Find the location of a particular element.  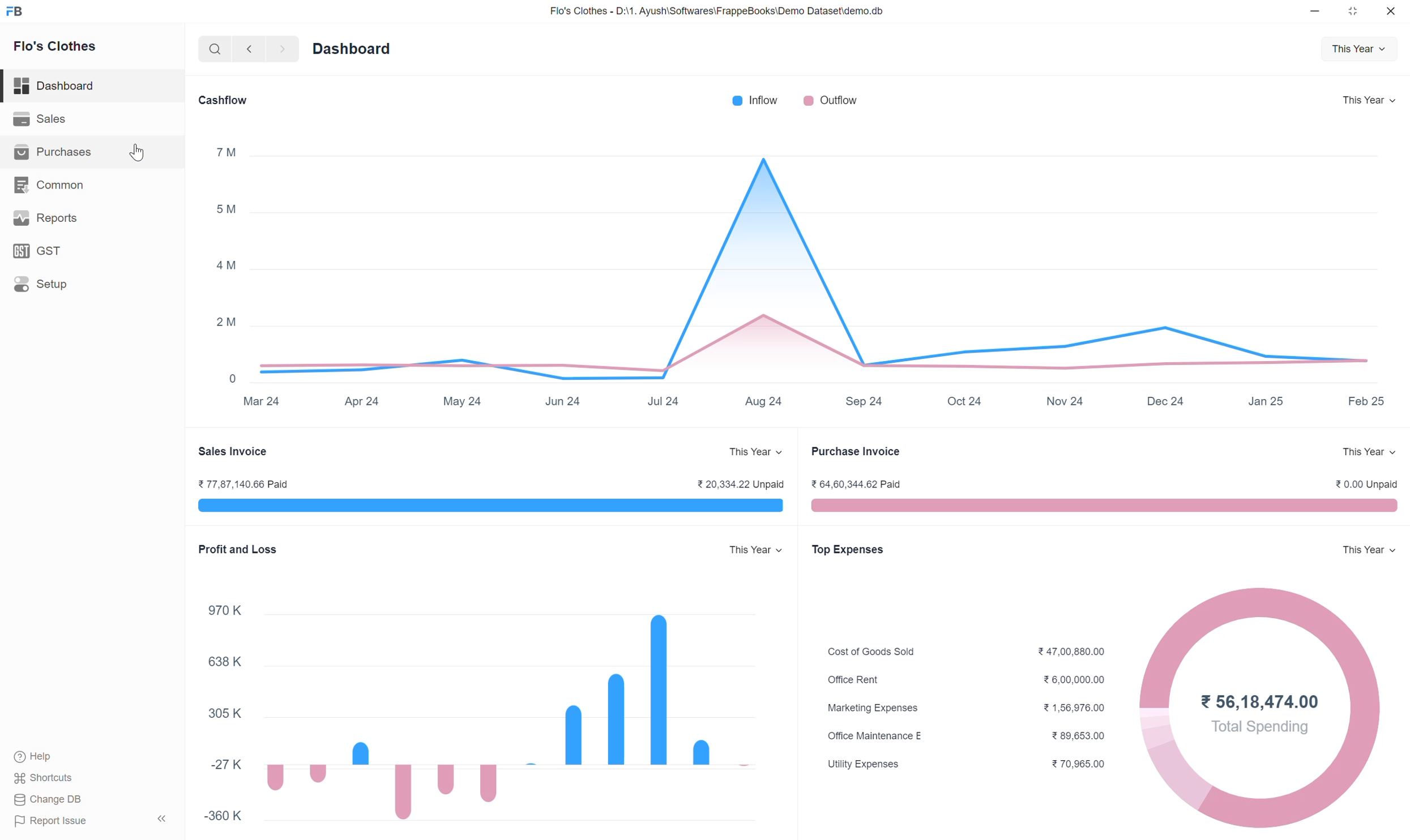

Apr 24 is located at coordinates (361, 401).